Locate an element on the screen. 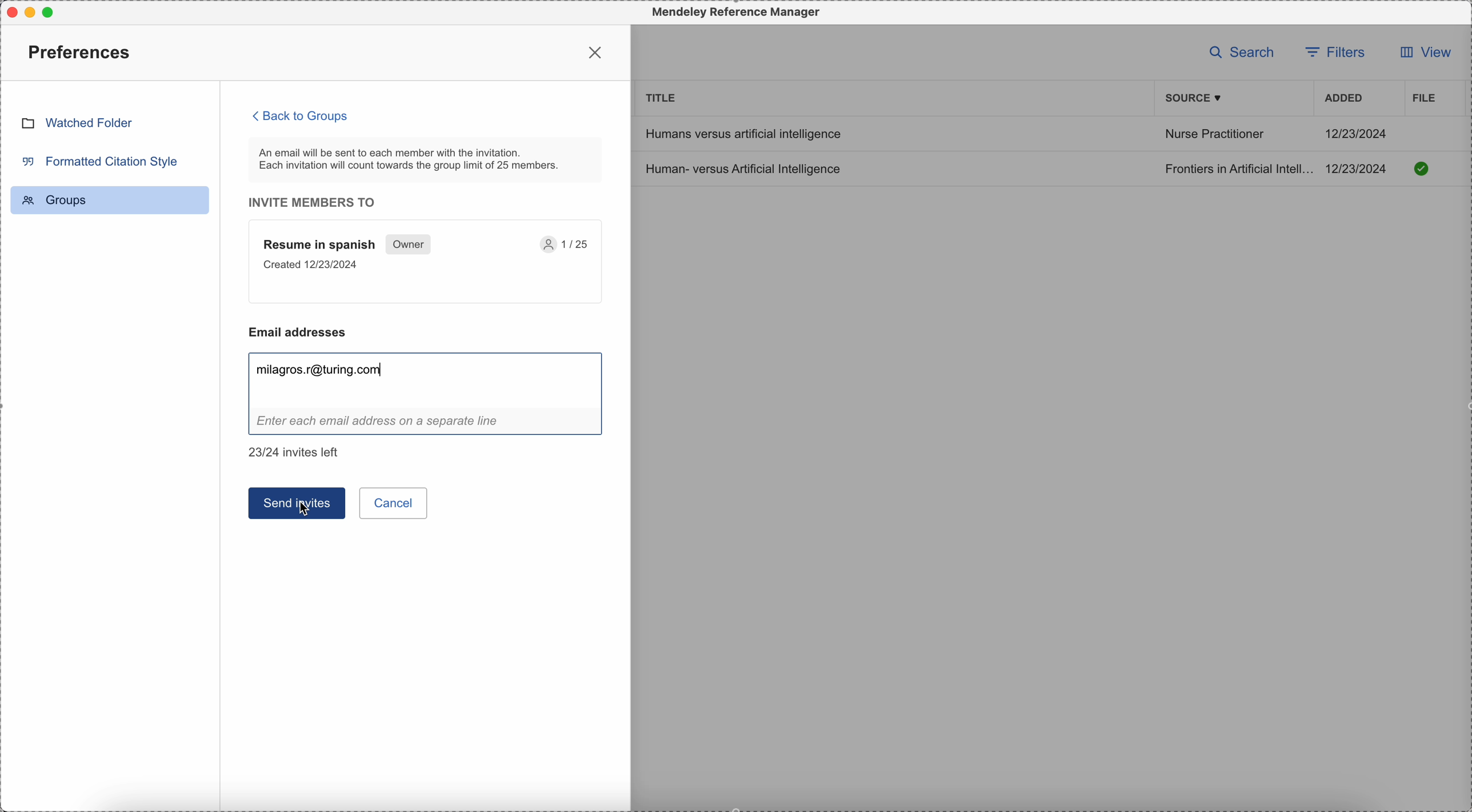 The image size is (1472, 812). 12/23/2024 is located at coordinates (1360, 169).